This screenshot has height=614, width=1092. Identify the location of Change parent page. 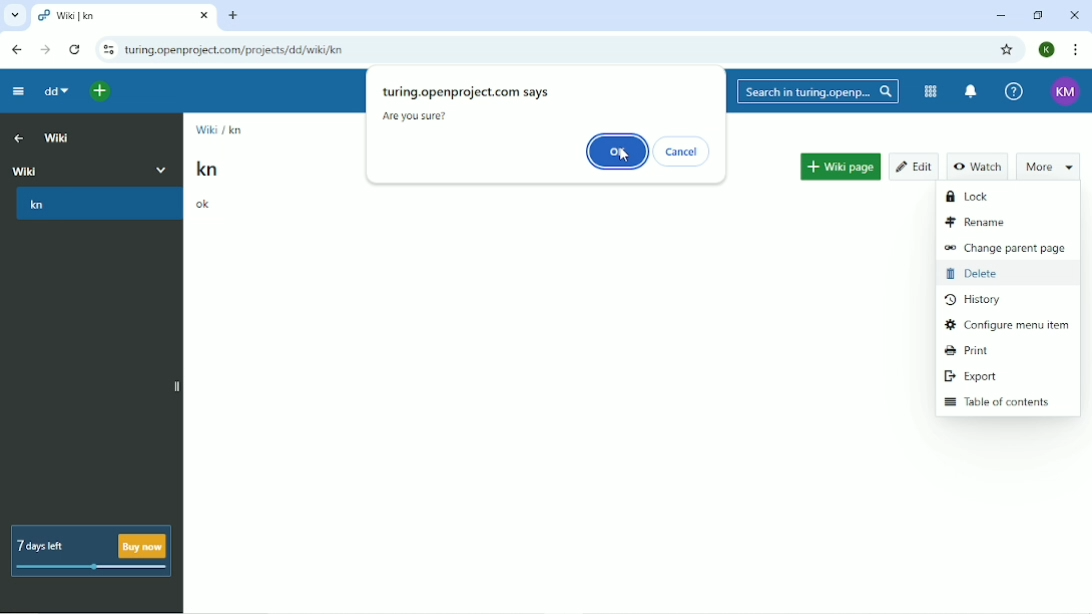
(1005, 249).